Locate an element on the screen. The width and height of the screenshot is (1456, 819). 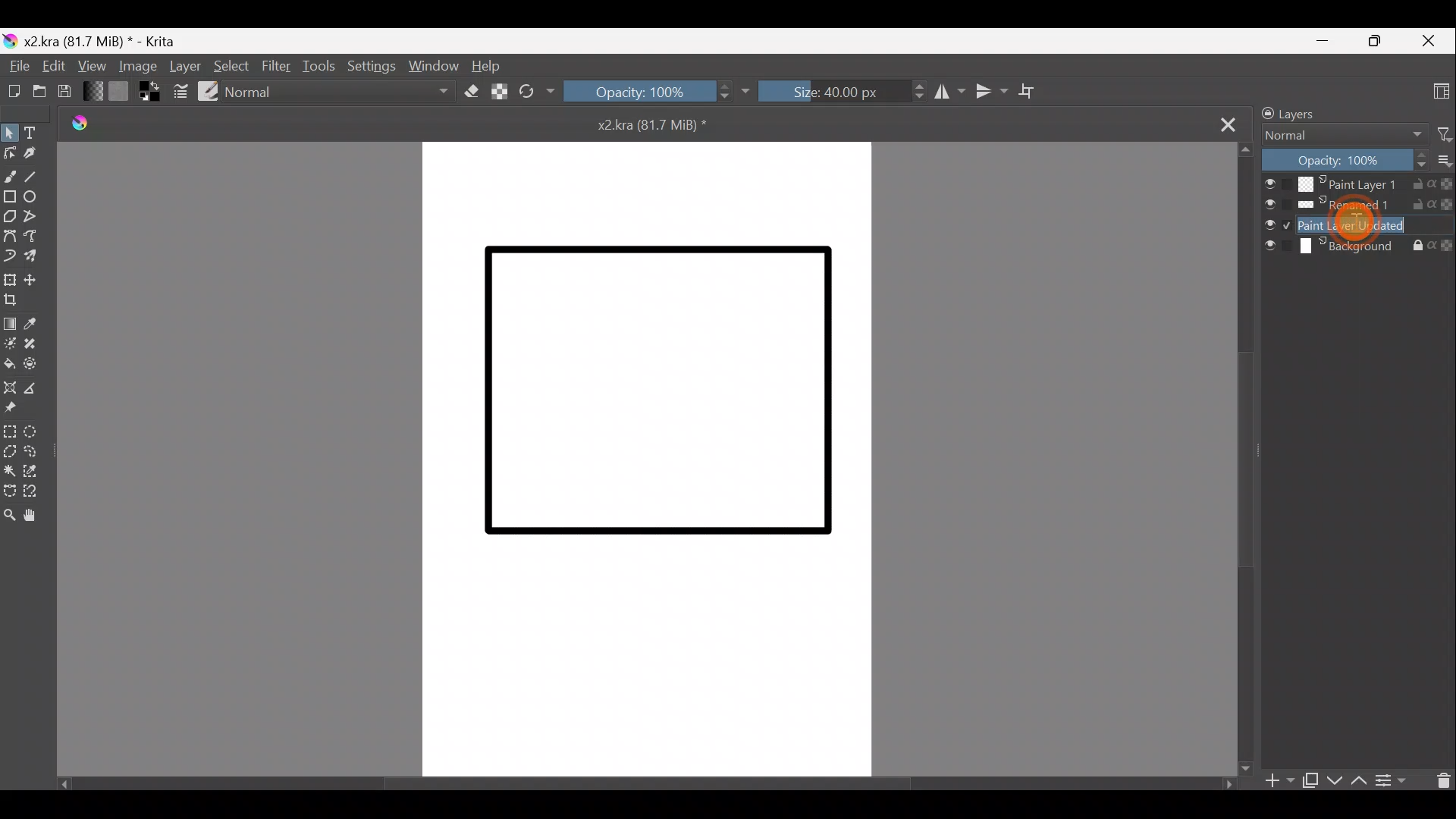
Measure the distance between two points is located at coordinates (39, 388).